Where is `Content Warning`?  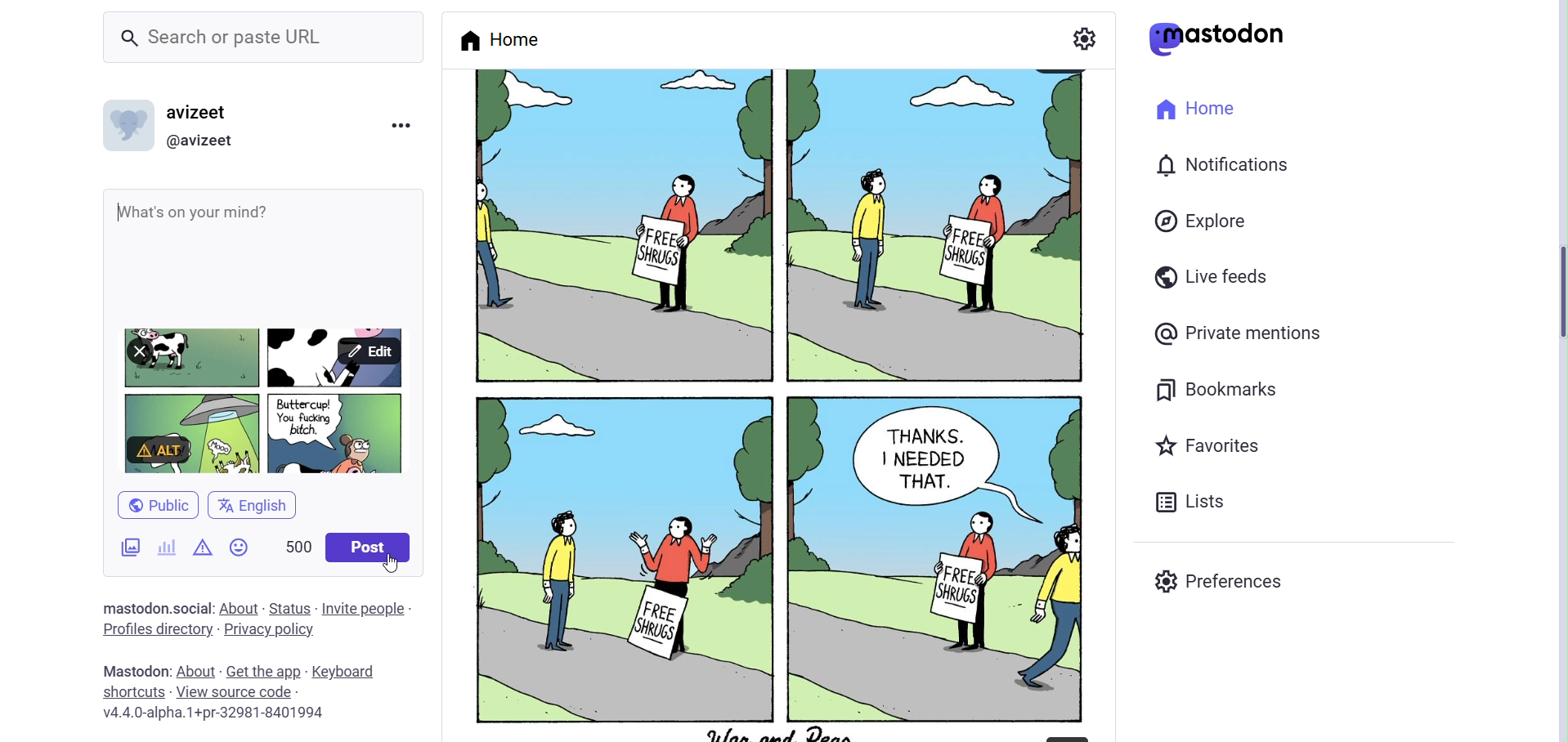 Content Warning is located at coordinates (204, 552).